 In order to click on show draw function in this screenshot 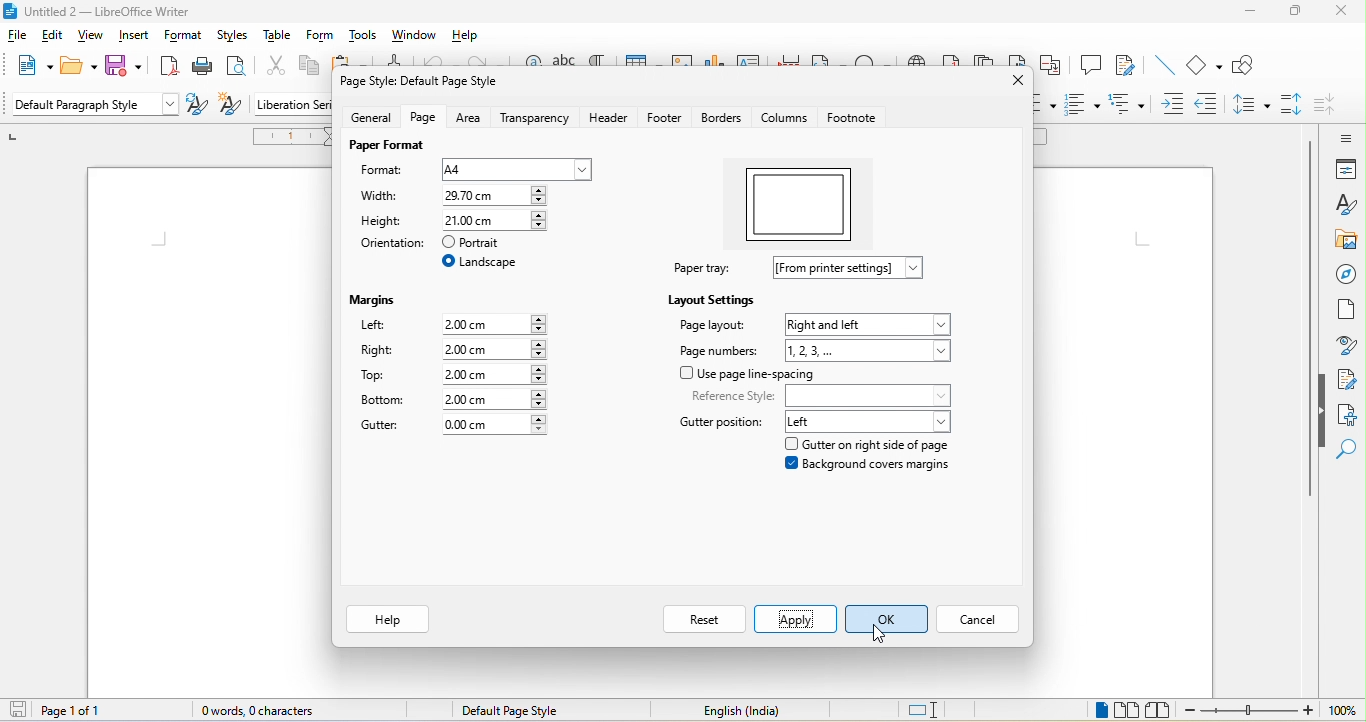, I will do `click(1250, 68)`.